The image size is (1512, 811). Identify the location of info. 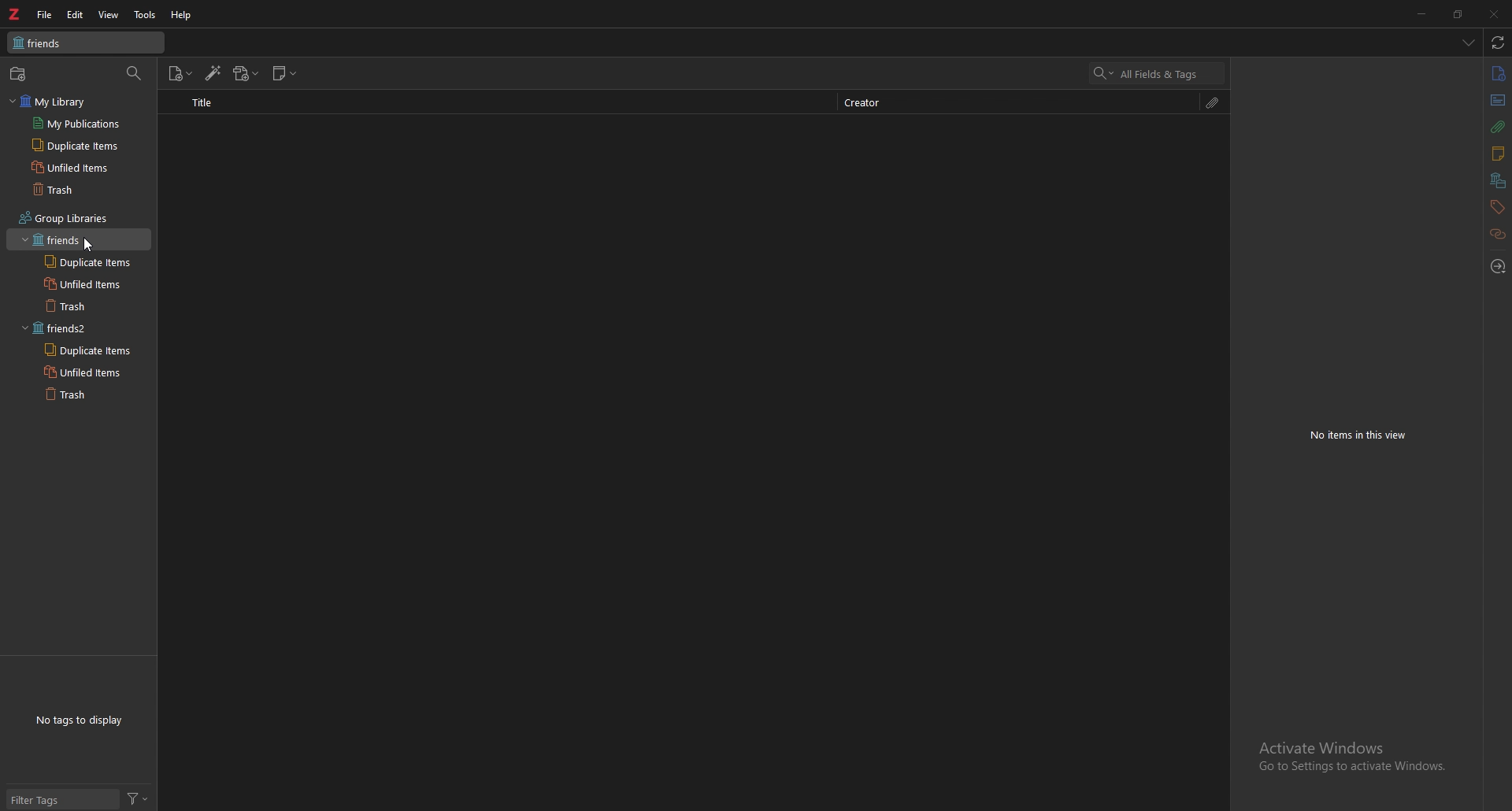
(1499, 72).